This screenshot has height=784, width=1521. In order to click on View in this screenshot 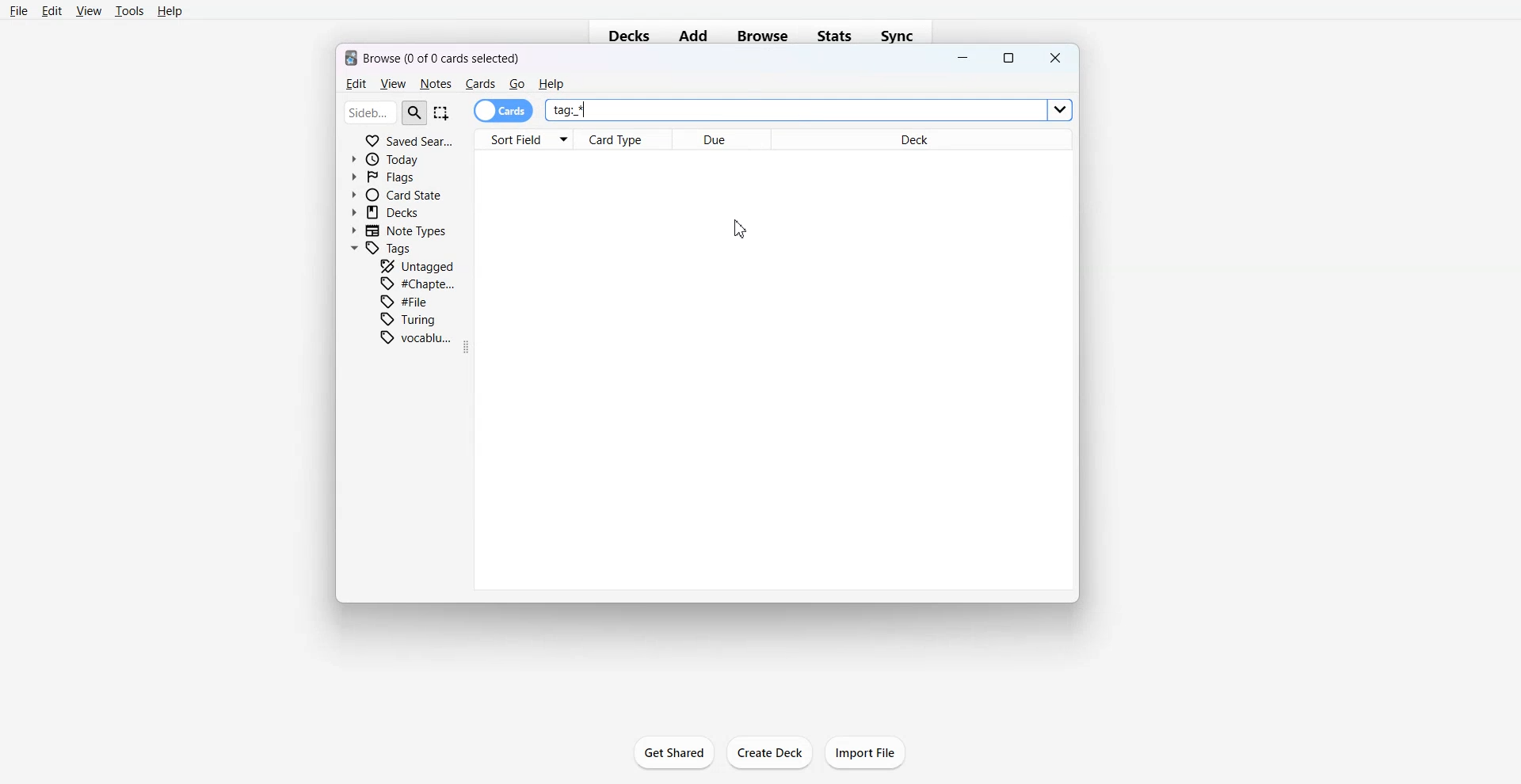, I will do `click(392, 84)`.